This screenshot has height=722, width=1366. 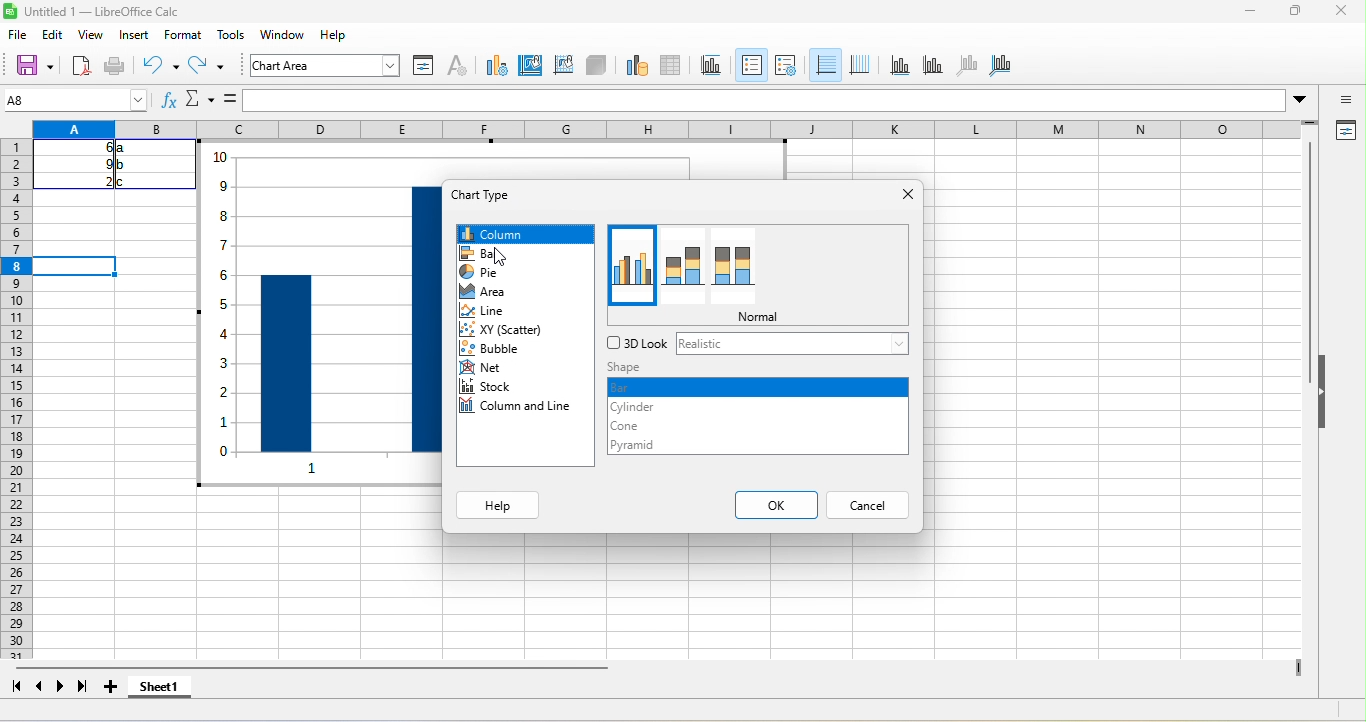 What do you see at coordinates (116, 64) in the screenshot?
I see `save` at bounding box center [116, 64].